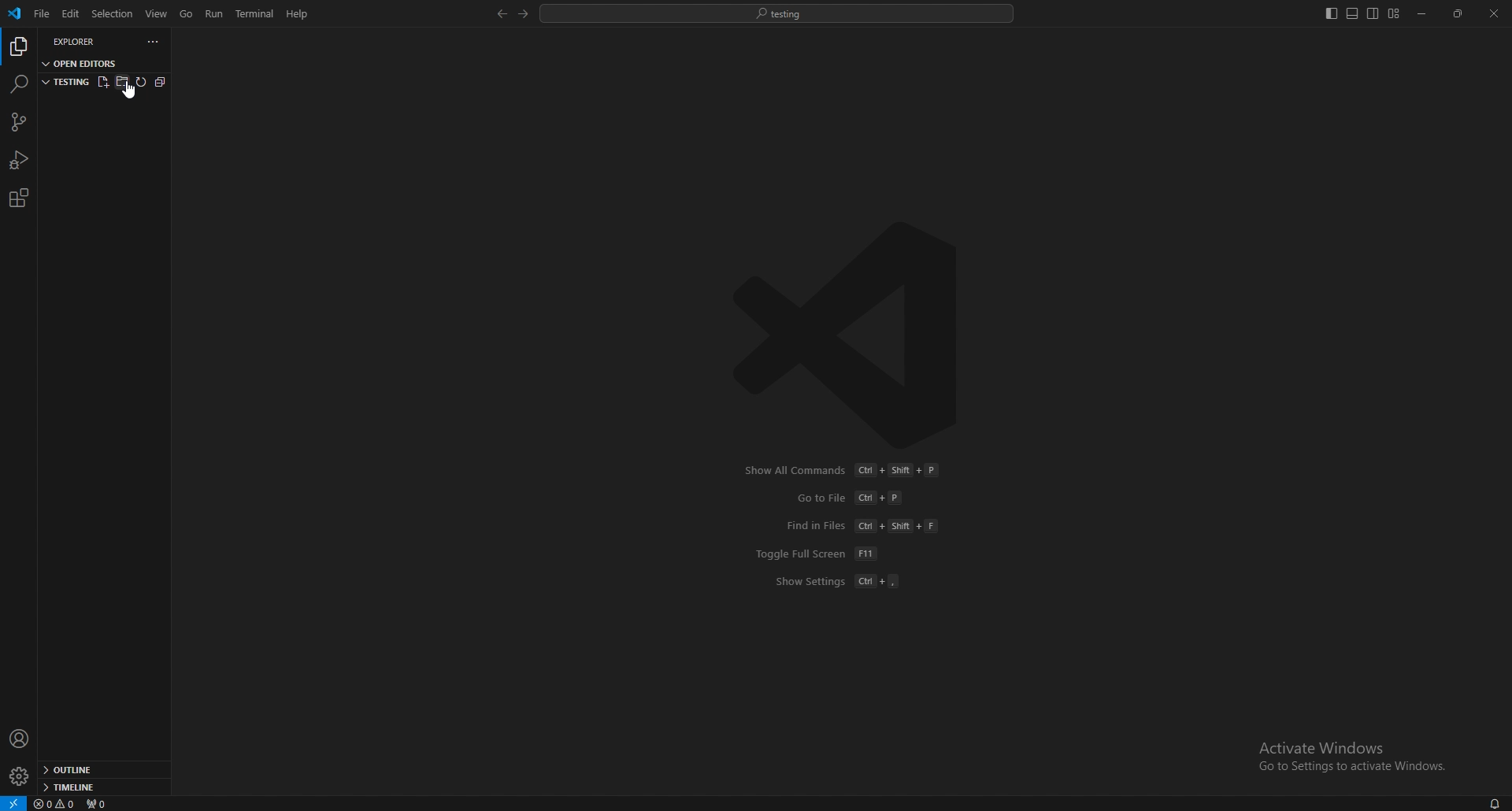  What do you see at coordinates (1459, 14) in the screenshot?
I see `resize` at bounding box center [1459, 14].